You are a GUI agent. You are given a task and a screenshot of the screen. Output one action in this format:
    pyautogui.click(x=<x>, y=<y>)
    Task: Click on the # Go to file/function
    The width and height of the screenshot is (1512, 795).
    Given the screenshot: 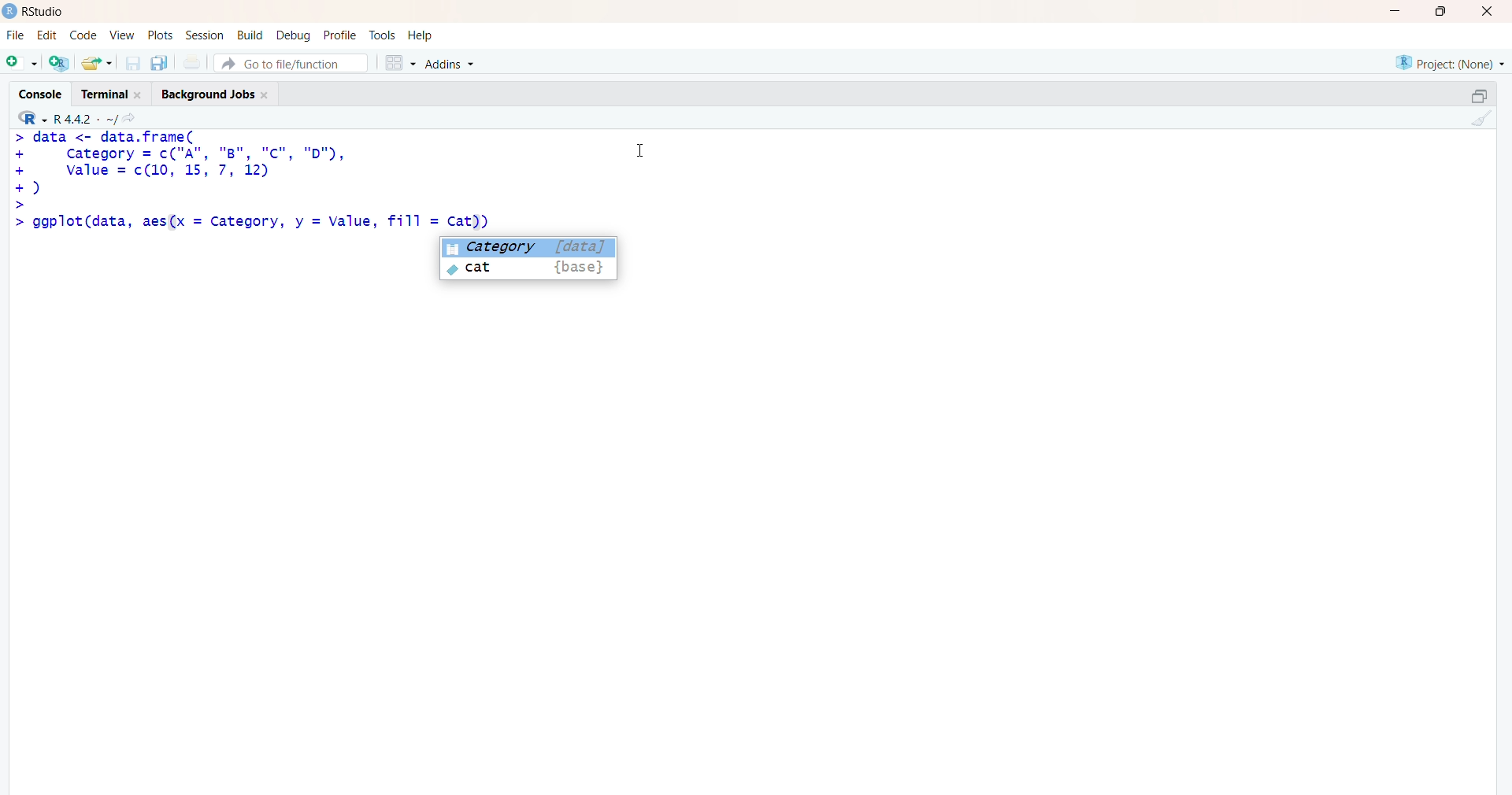 What is the action you would take?
    pyautogui.click(x=291, y=63)
    